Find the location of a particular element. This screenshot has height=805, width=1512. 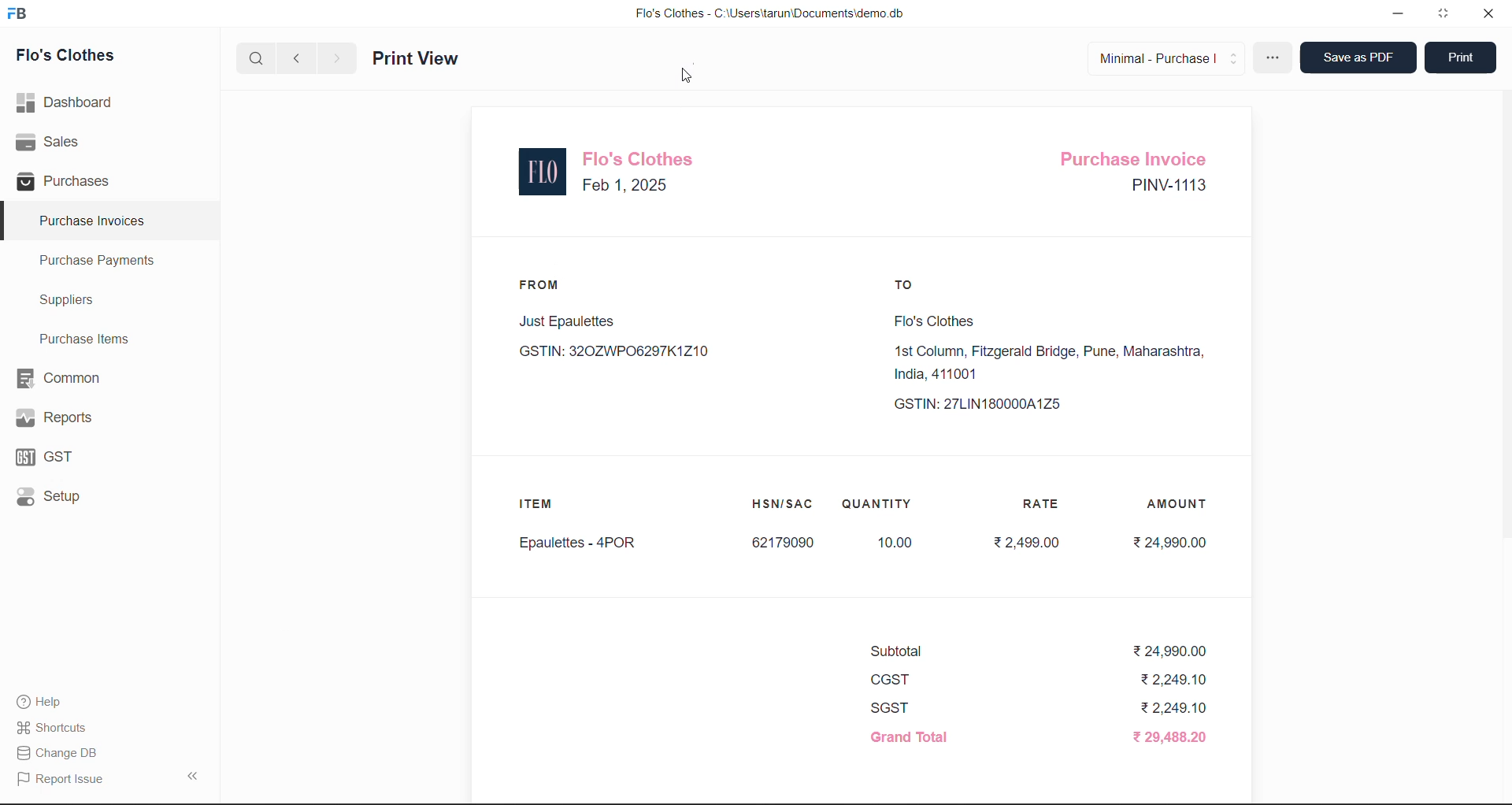

Purchase Invoice PINV-1113 is located at coordinates (1141, 174).